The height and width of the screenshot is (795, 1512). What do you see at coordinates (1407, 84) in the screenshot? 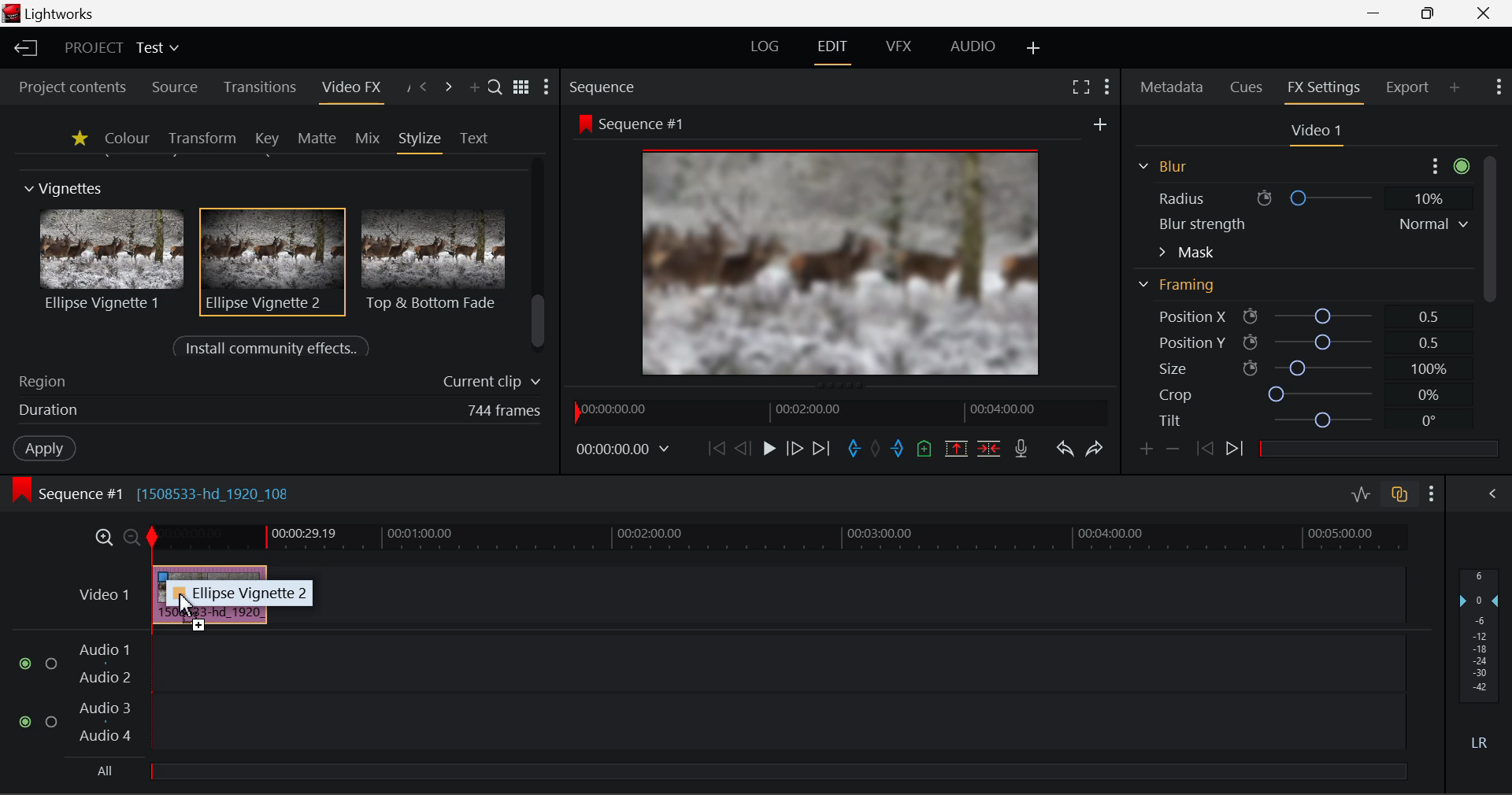
I see `Export` at bounding box center [1407, 84].